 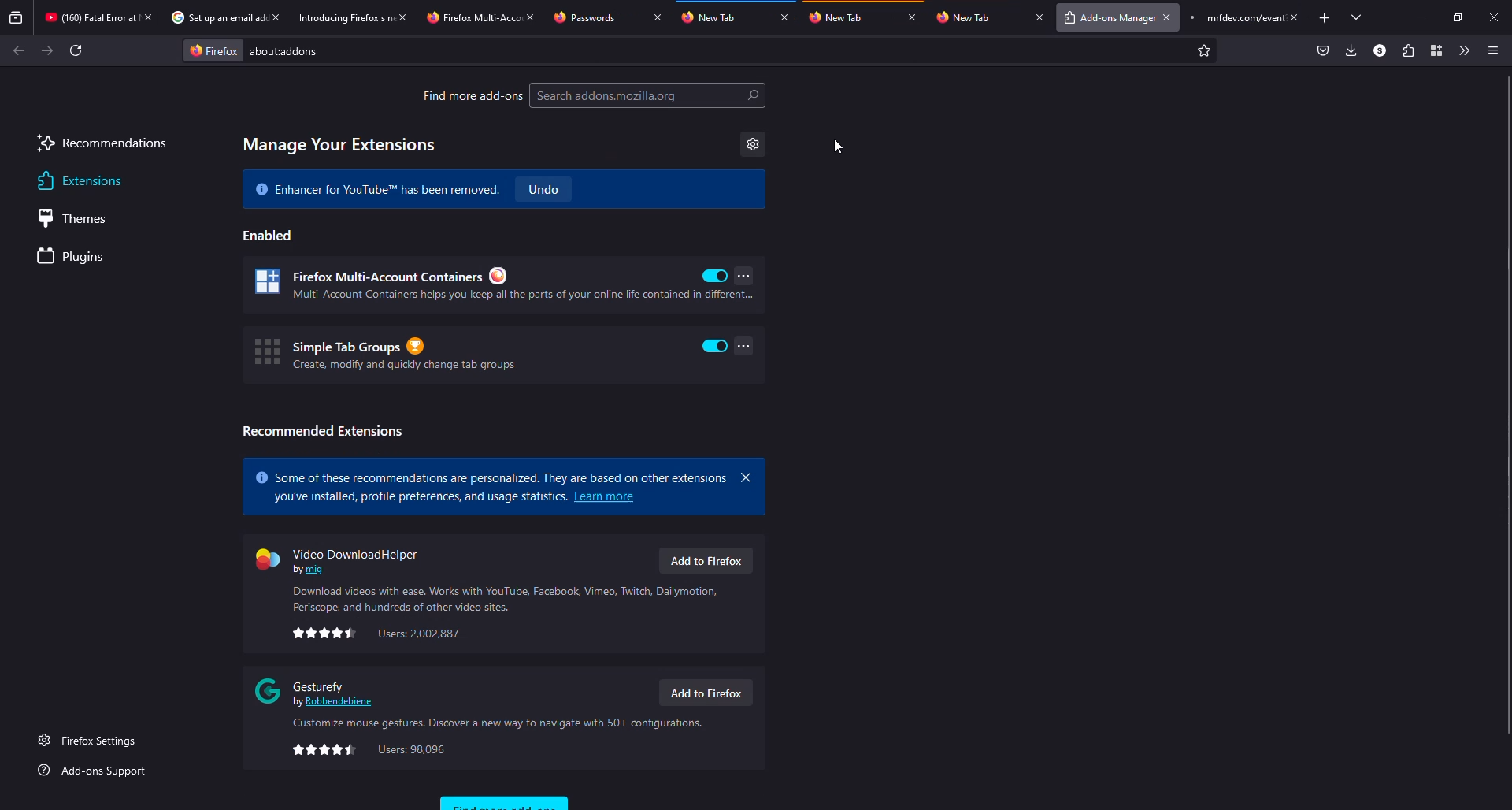 I want to click on Add current page to favorite, so click(x=1204, y=50).